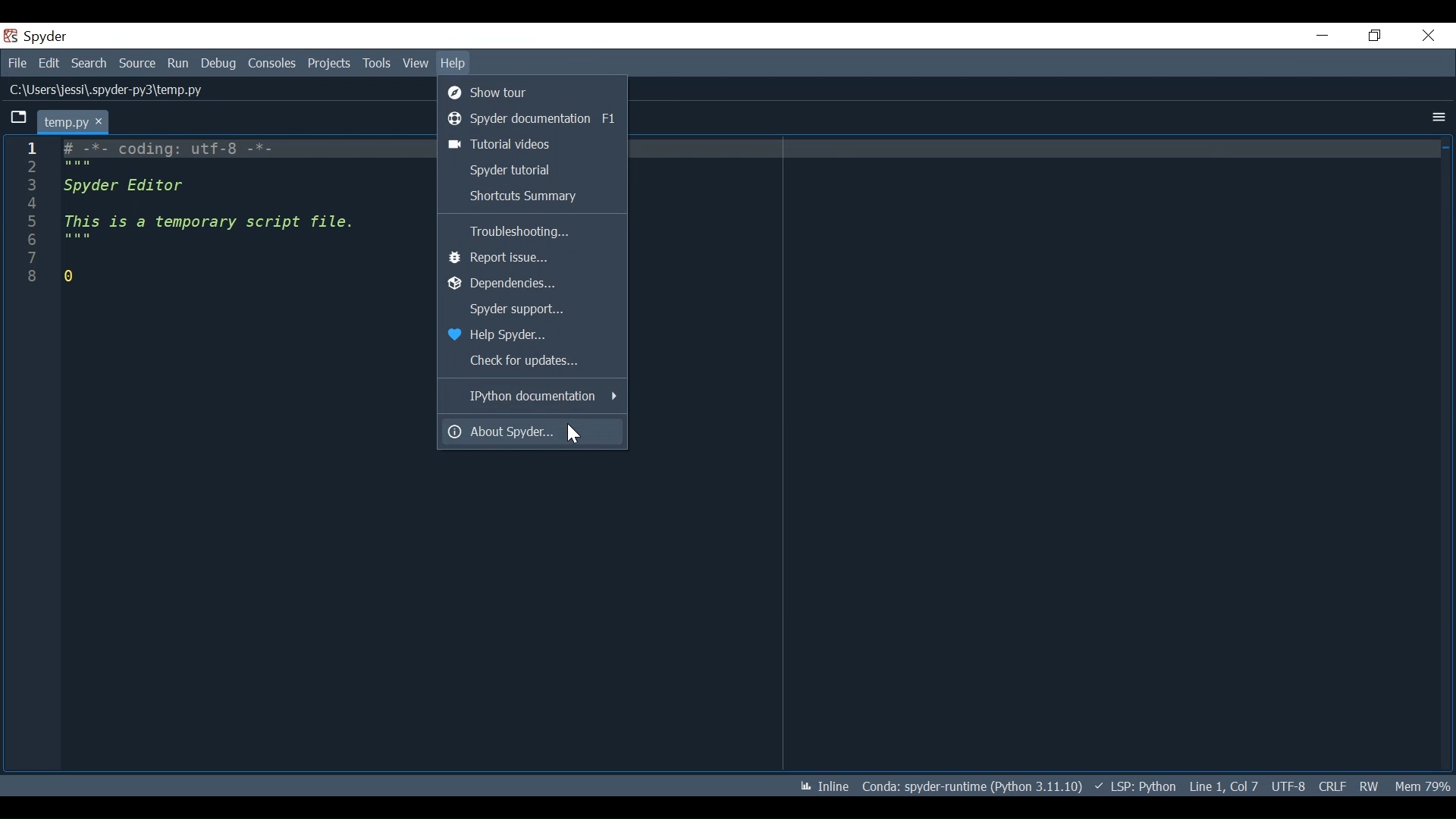 The width and height of the screenshot is (1456, 819). I want to click on About Spyder, so click(535, 433).